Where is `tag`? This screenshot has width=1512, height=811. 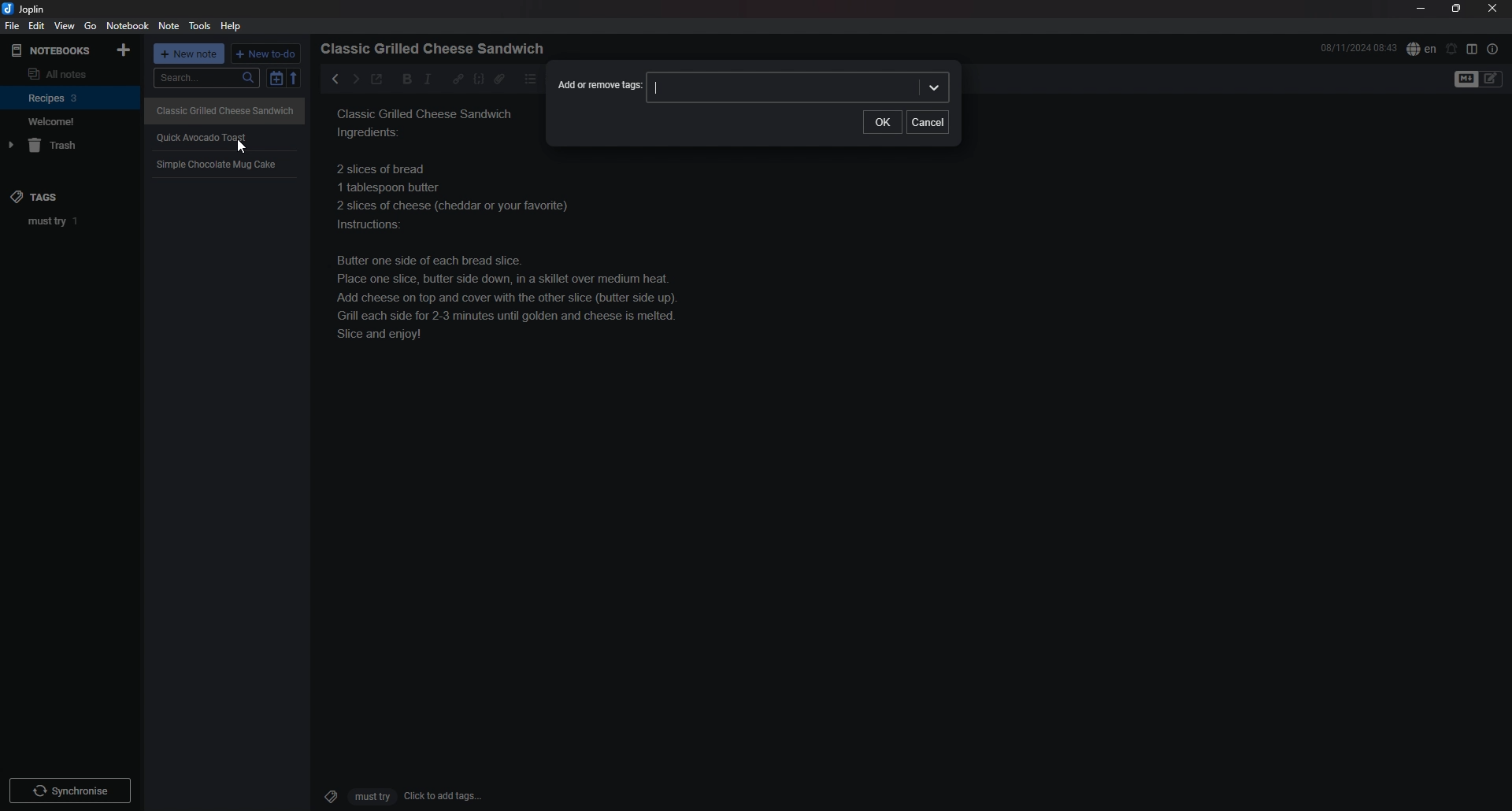
tag is located at coordinates (75, 220).